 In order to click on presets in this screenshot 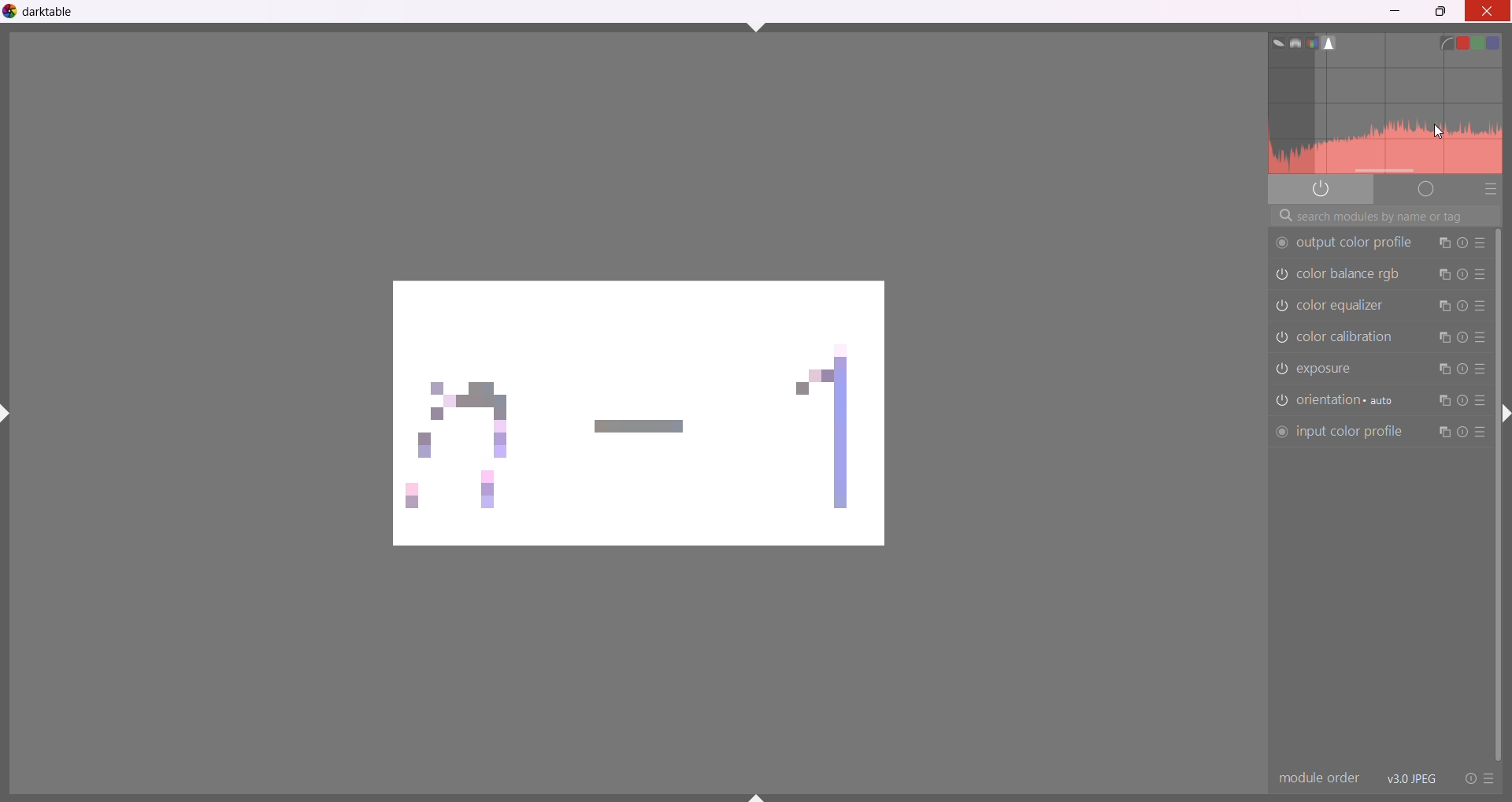, I will do `click(1480, 401)`.